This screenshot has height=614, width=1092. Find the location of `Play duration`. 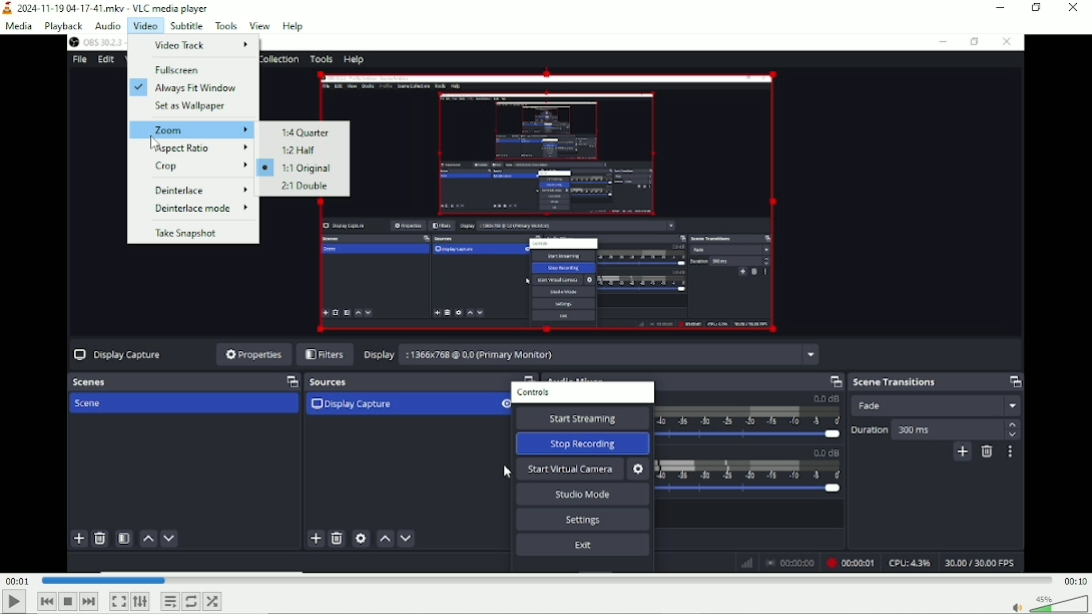

Play duration is located at coordinates (545, 580).